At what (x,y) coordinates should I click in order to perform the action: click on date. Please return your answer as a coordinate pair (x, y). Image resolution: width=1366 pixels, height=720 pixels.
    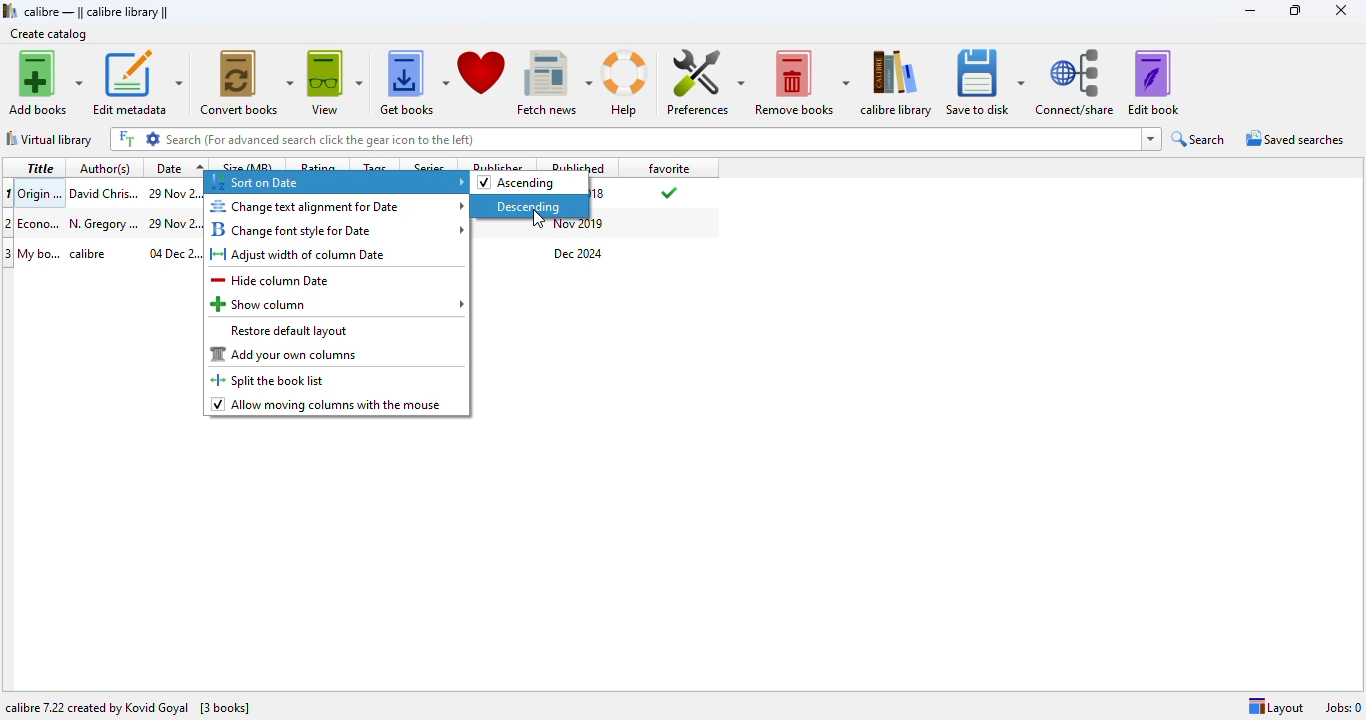
    Looking at the image, I should click on (173, 223).